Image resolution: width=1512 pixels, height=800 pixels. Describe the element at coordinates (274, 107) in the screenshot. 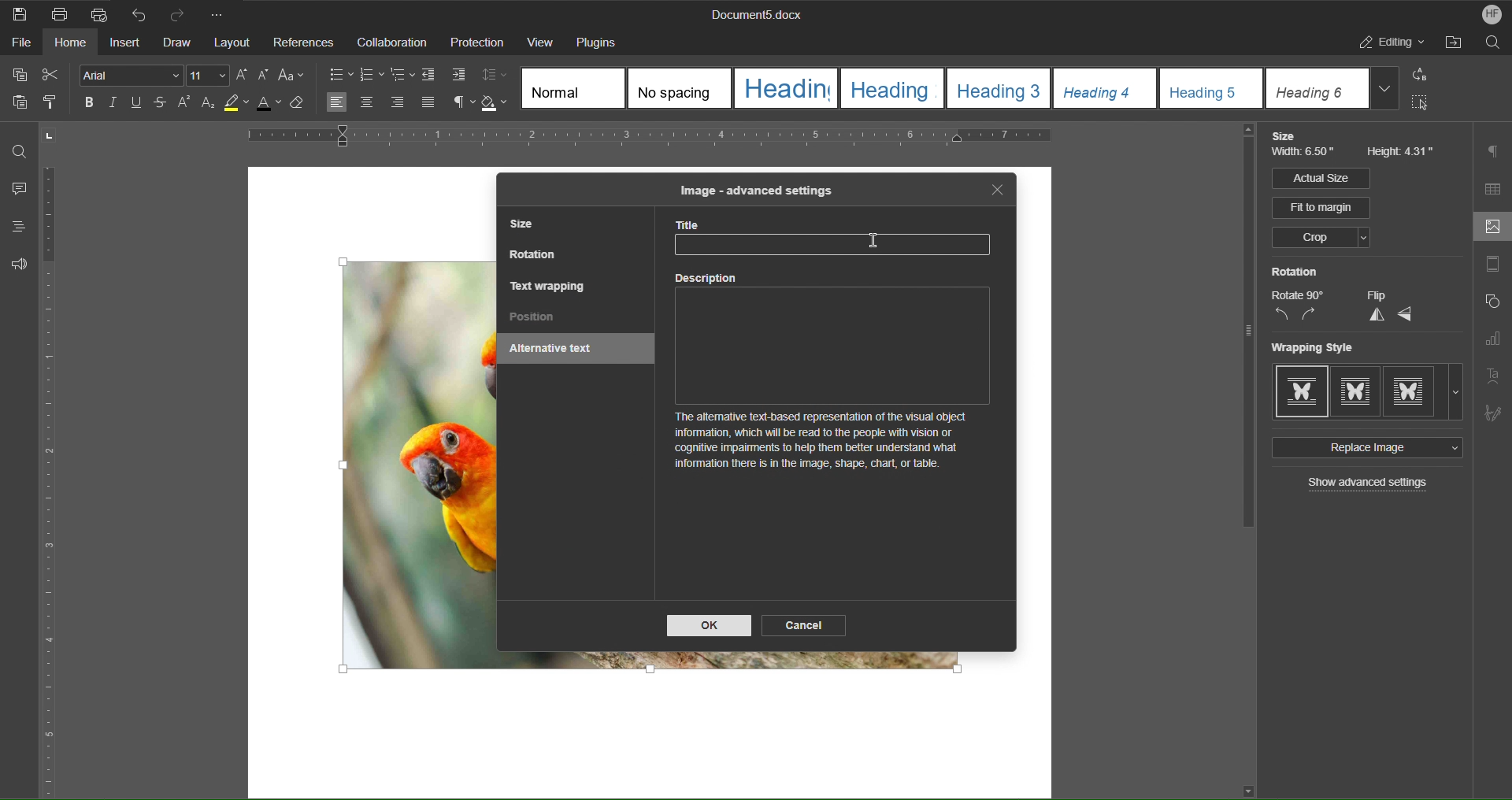

I see `Text Color` at that location.